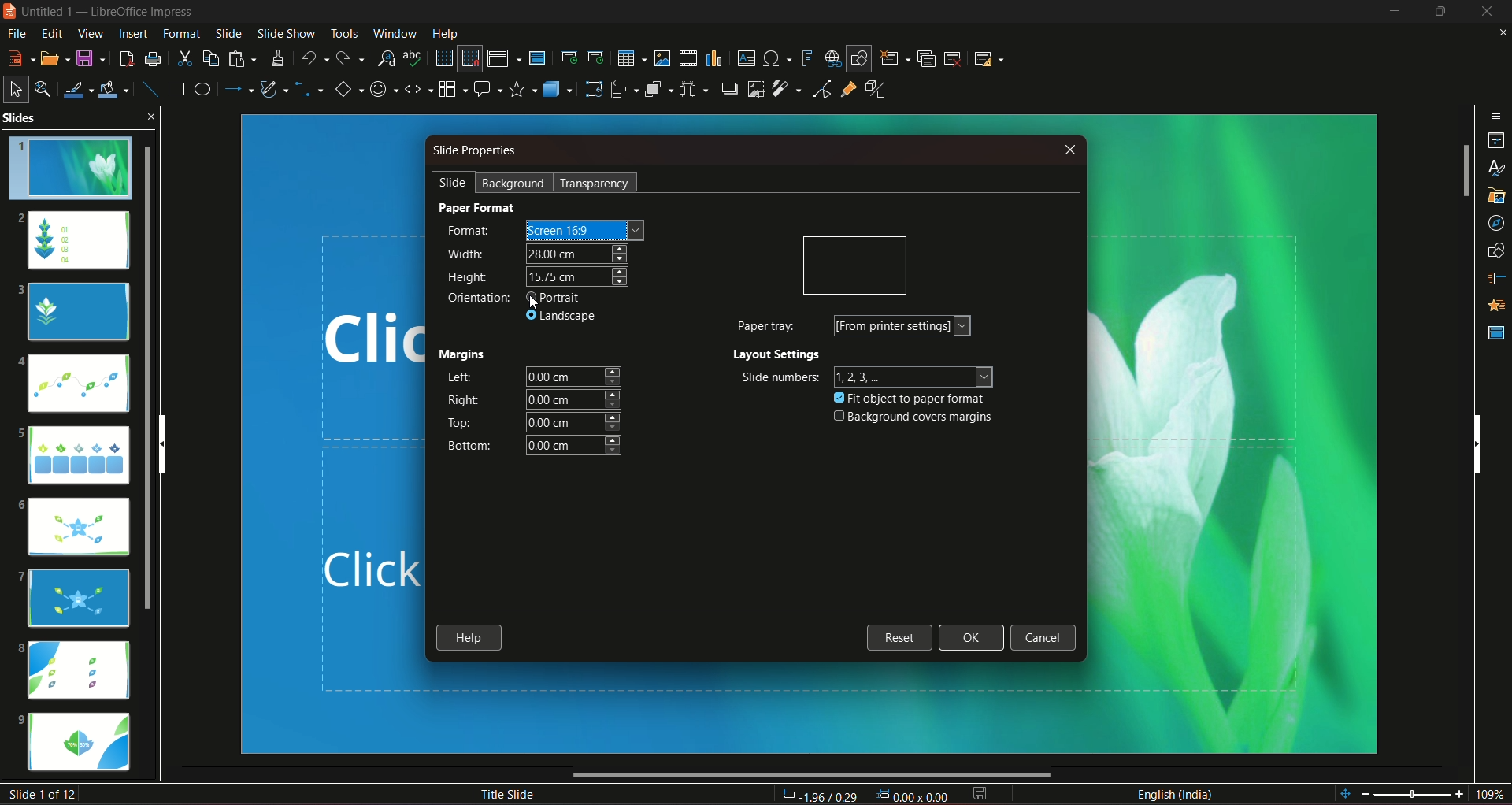  What do you see at coordinates (576, 447) in the screenshot?
I see `bottom margin` at bounding box center [576, 447].